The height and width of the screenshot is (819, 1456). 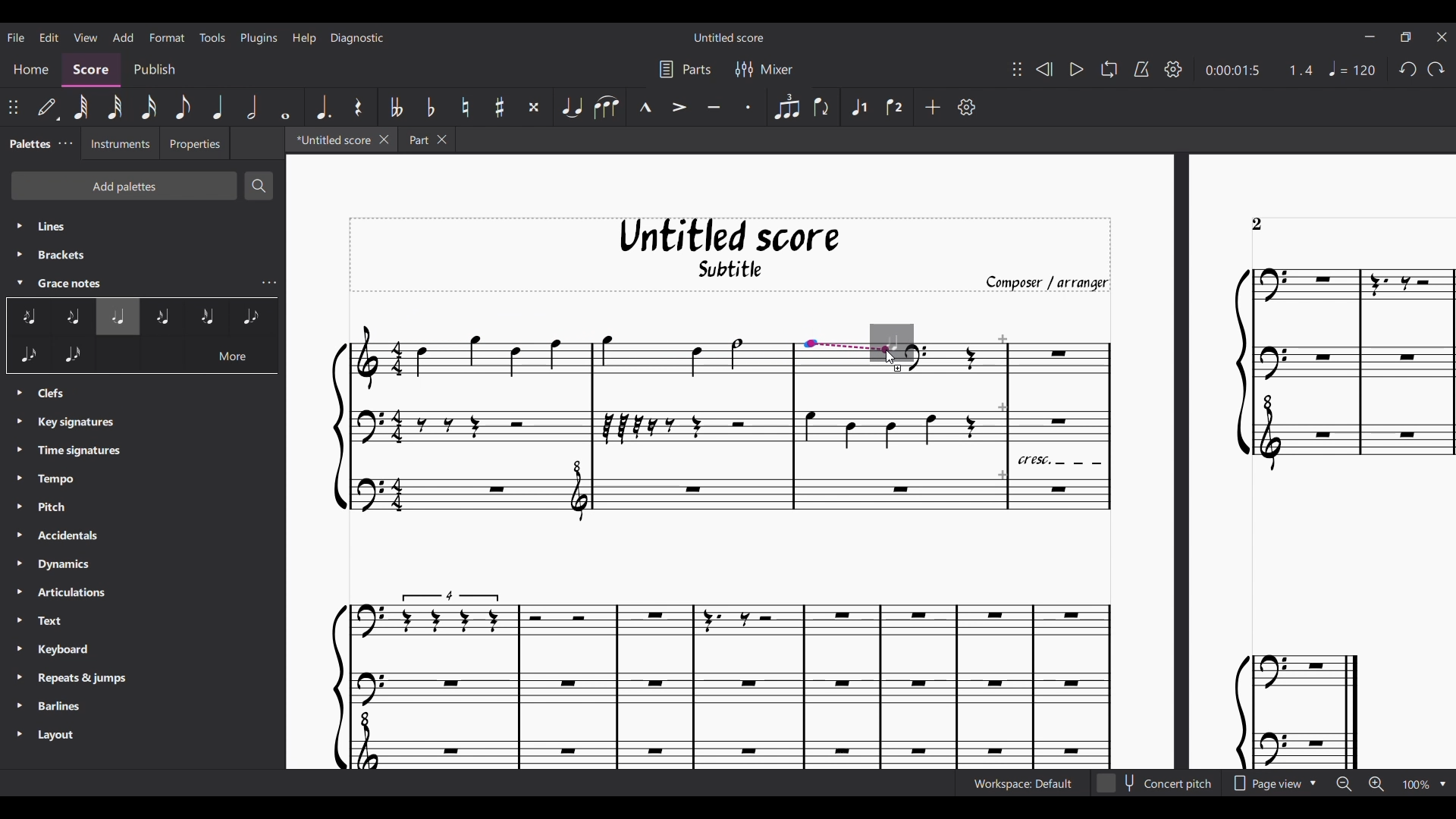 What do you see at coordinates (571, 107) in the screenshot?
I see `Tie` at bounding box center [571, 107].